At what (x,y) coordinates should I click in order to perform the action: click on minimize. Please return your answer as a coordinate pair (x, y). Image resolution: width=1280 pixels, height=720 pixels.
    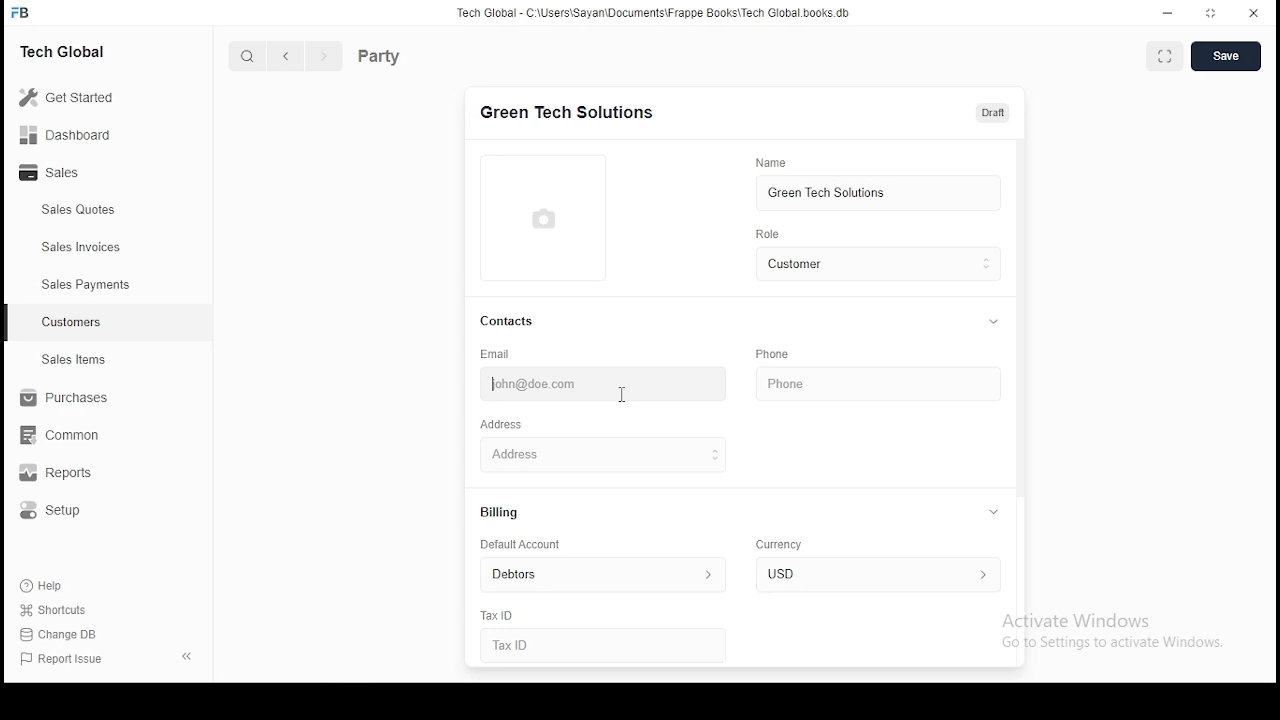
    Looking at the image, I should click on (1169, 13).